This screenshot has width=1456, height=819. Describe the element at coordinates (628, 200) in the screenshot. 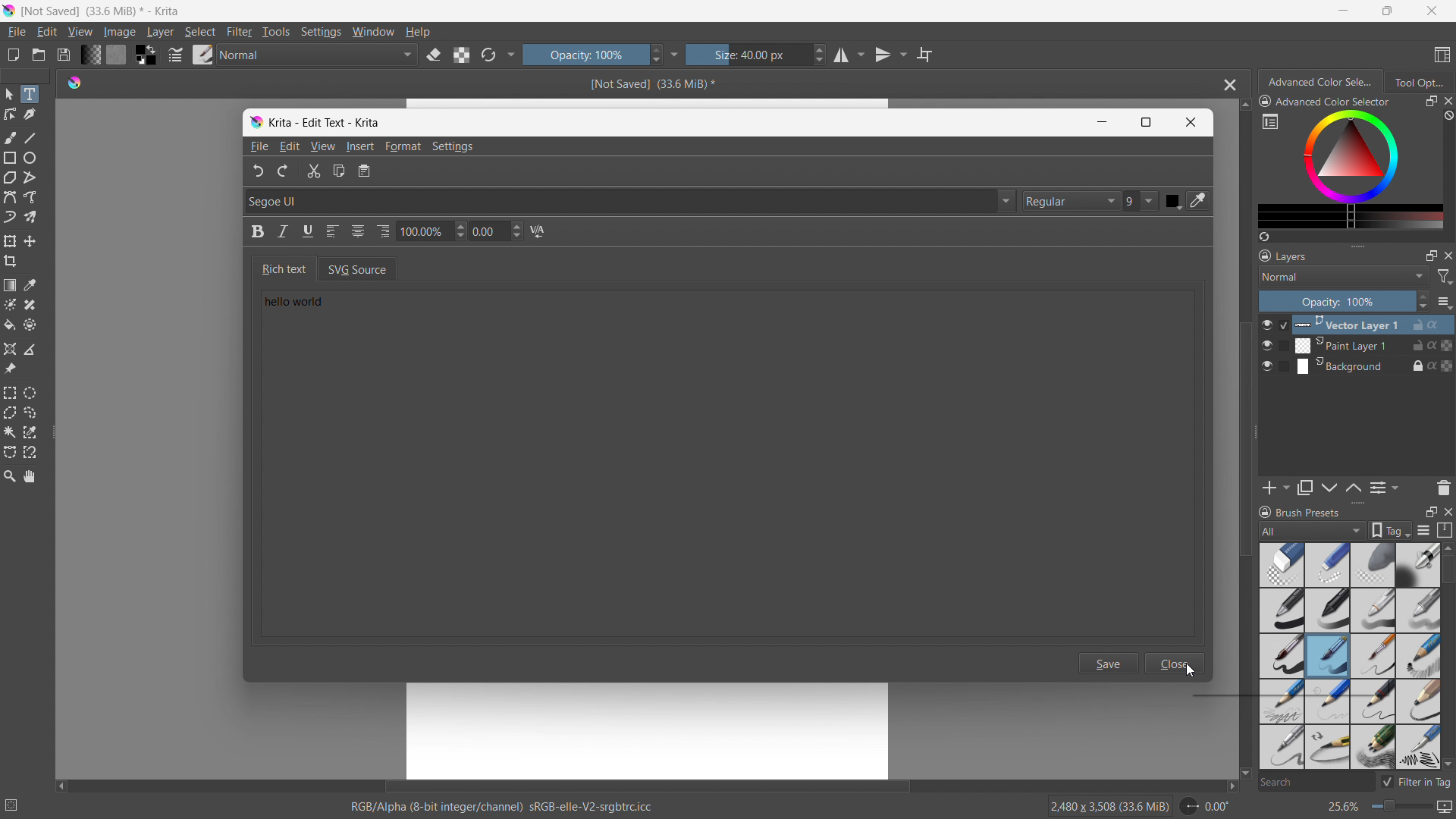

I see `Segoe UI` at that location.